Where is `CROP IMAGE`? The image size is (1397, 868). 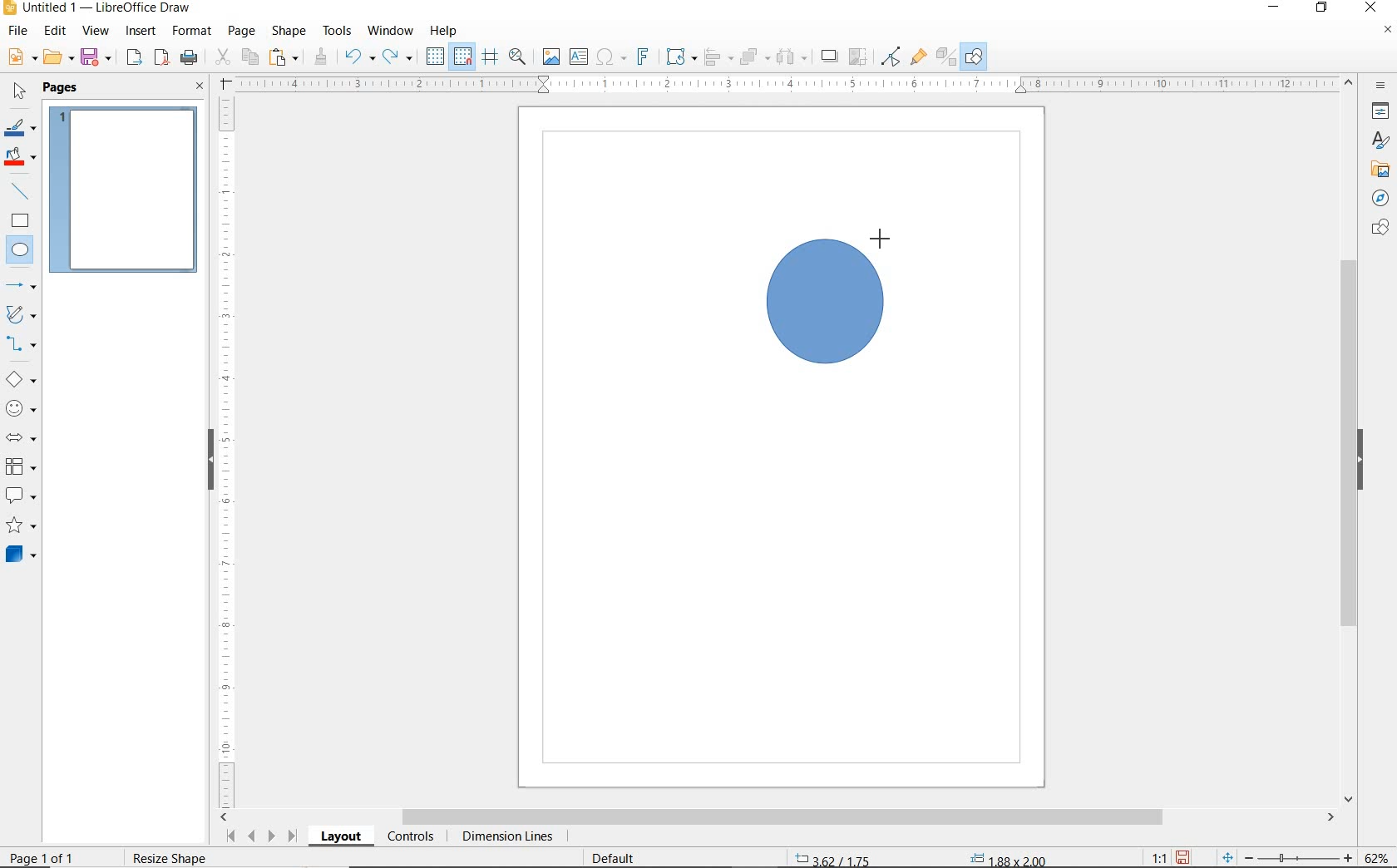
CROP IMAGE is located at coordinates (857, 57).